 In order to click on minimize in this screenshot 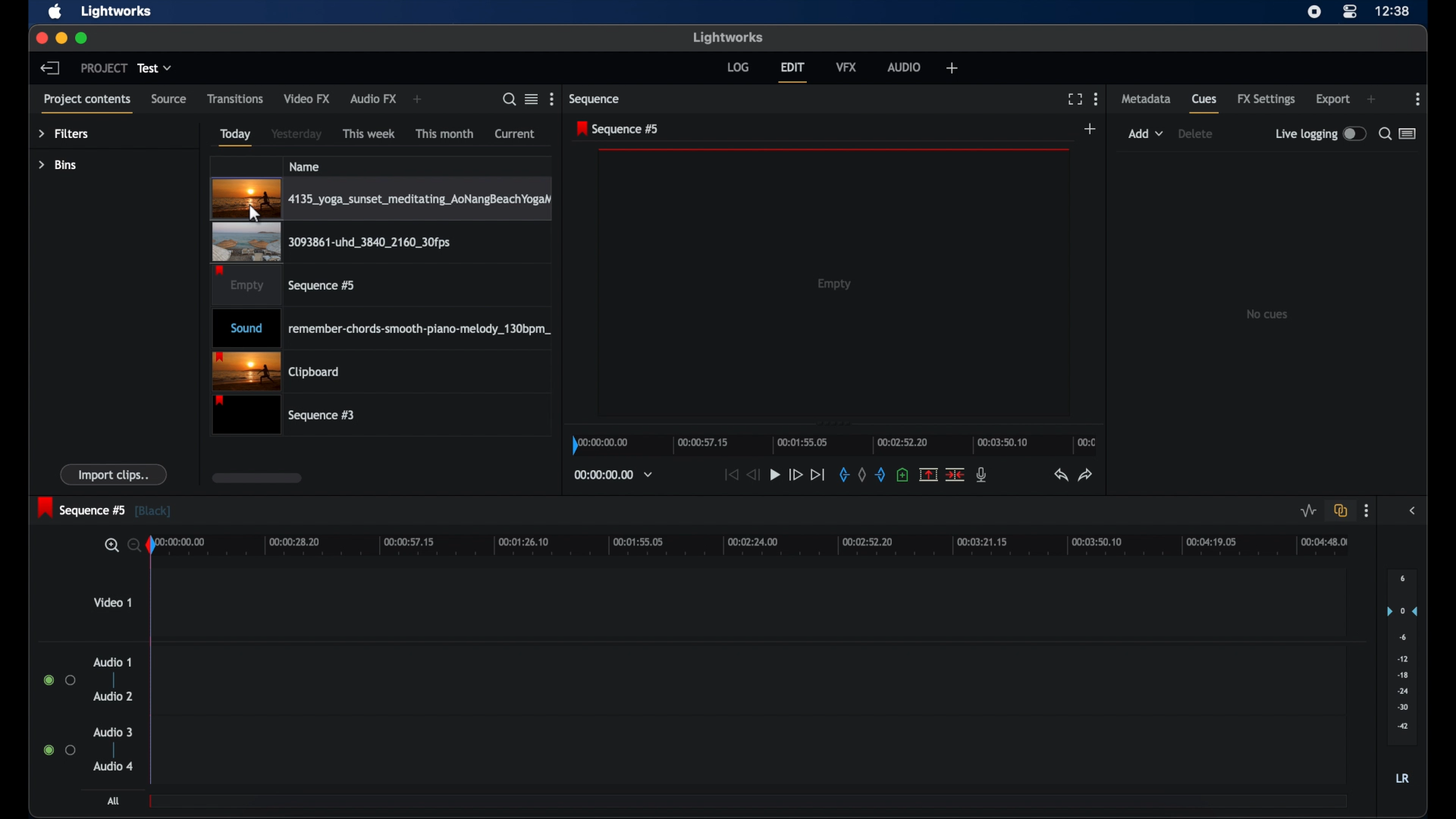, I will do `click(62, 38)`.